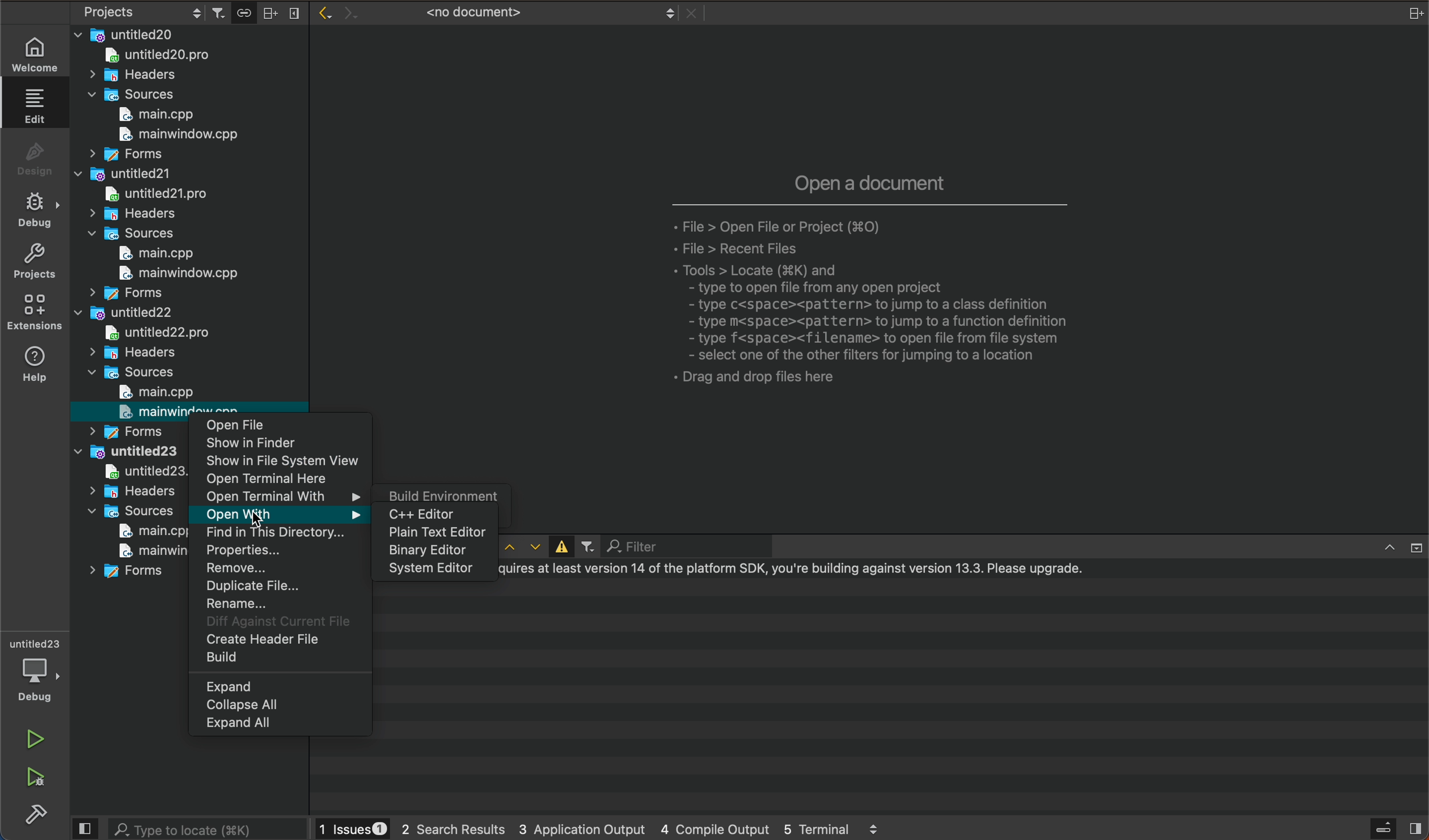 The height and width of the screenshot is (840, 1429). Describe the element at coordinates (34, 264) in the screenshot. I see `projects` at that location.